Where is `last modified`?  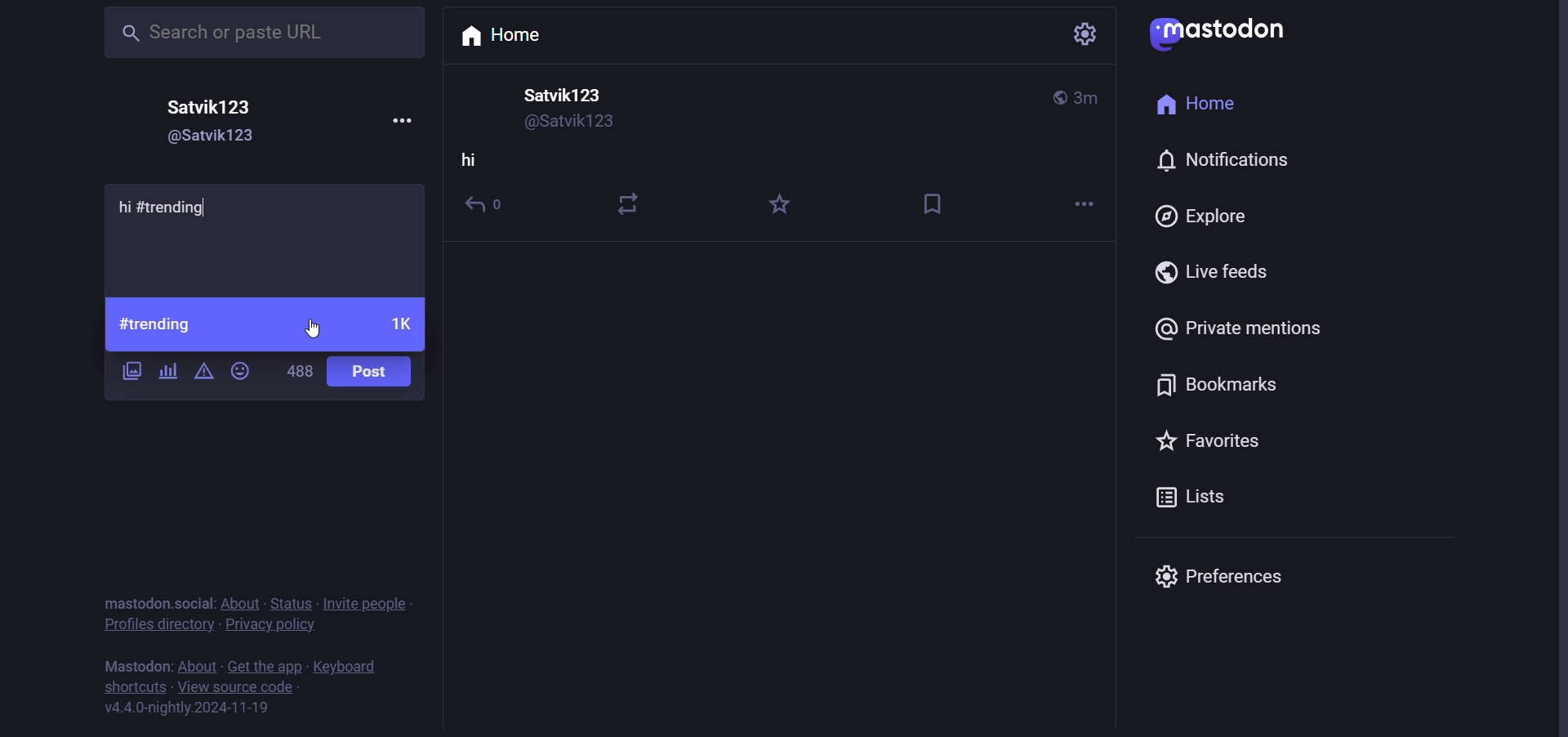
last modified is located at coordinates (1088, 98).